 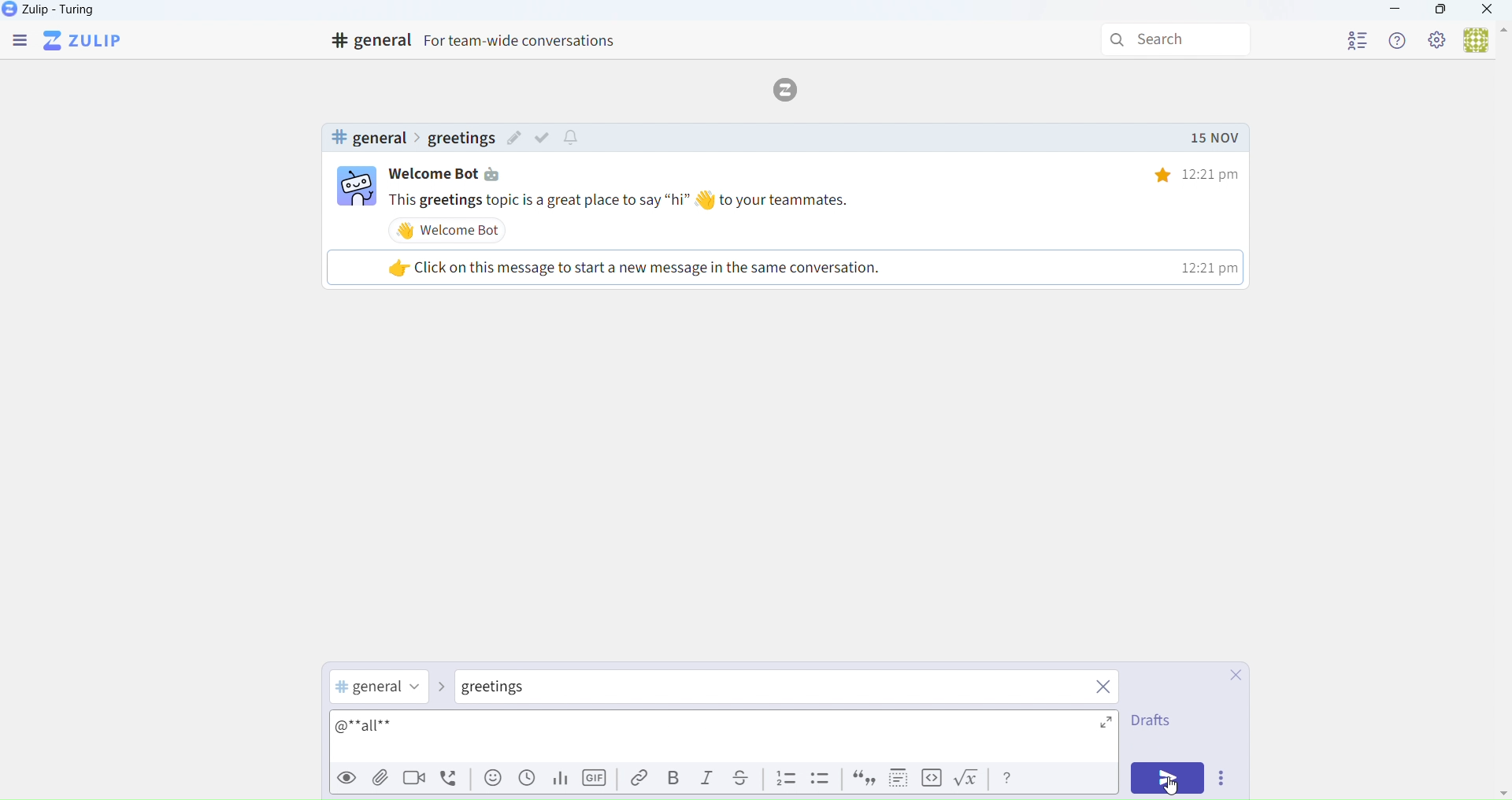 What do you see at coordinates (491, 782) in the screenshot?
I see `Emoji` at bounding box center [491, 782].